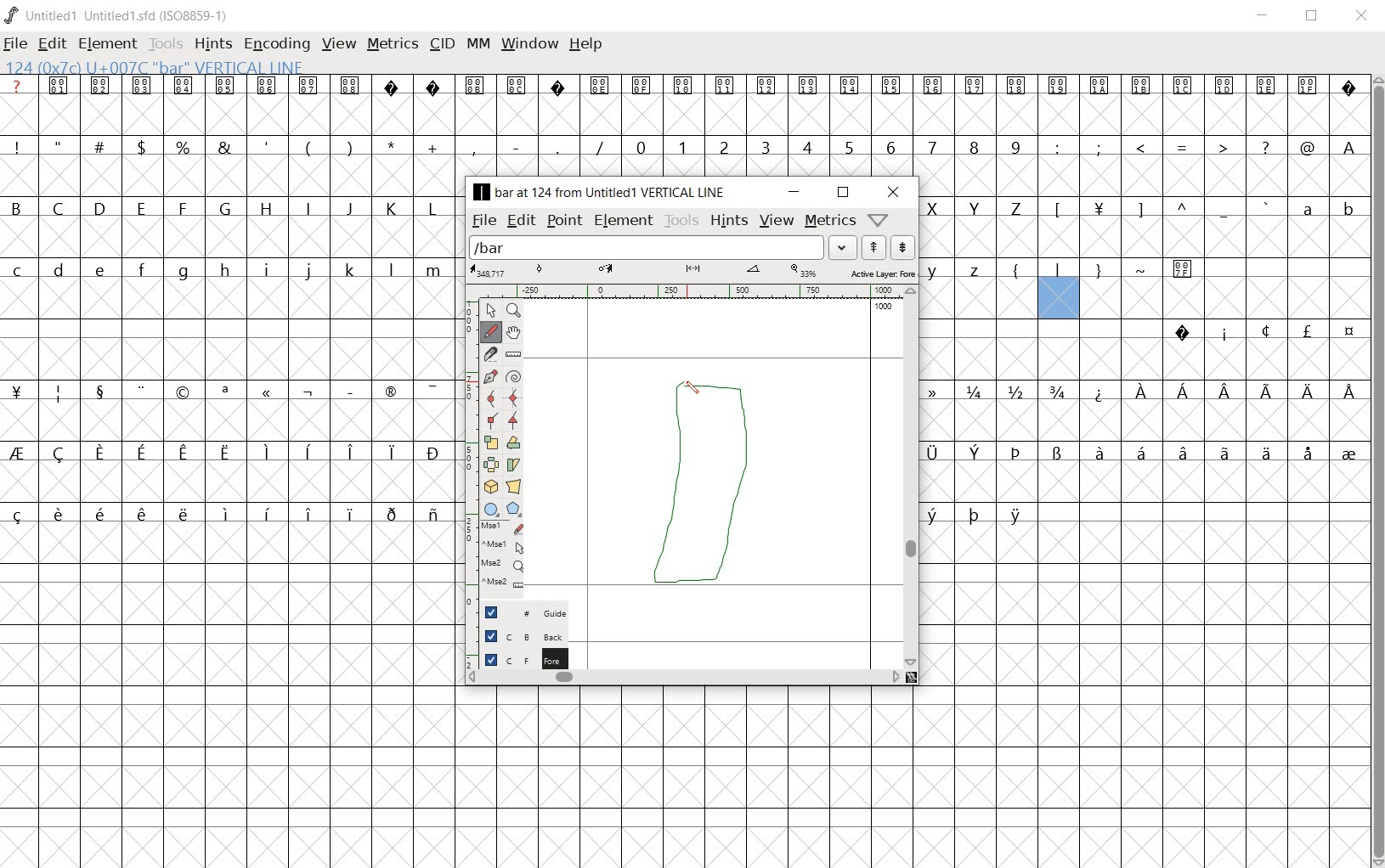 This screenshot has height=868, width=1385. What do you see at coordinates (1377, 471) in the screenshot?
I see `scrollbar` at bounding box center [1377, 471].